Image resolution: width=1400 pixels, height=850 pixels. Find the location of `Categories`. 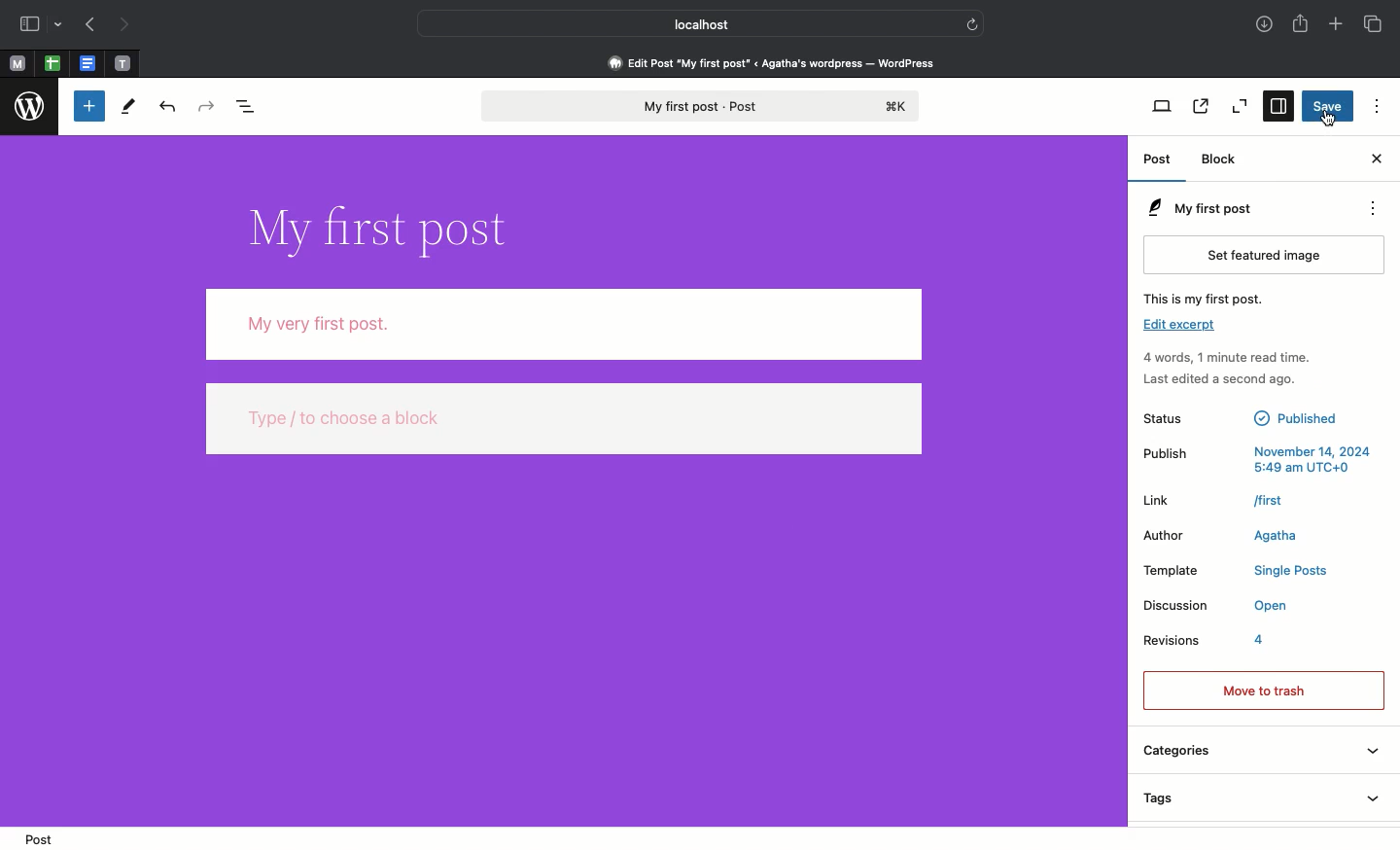

Categories is located at coordinates (1260, 747).